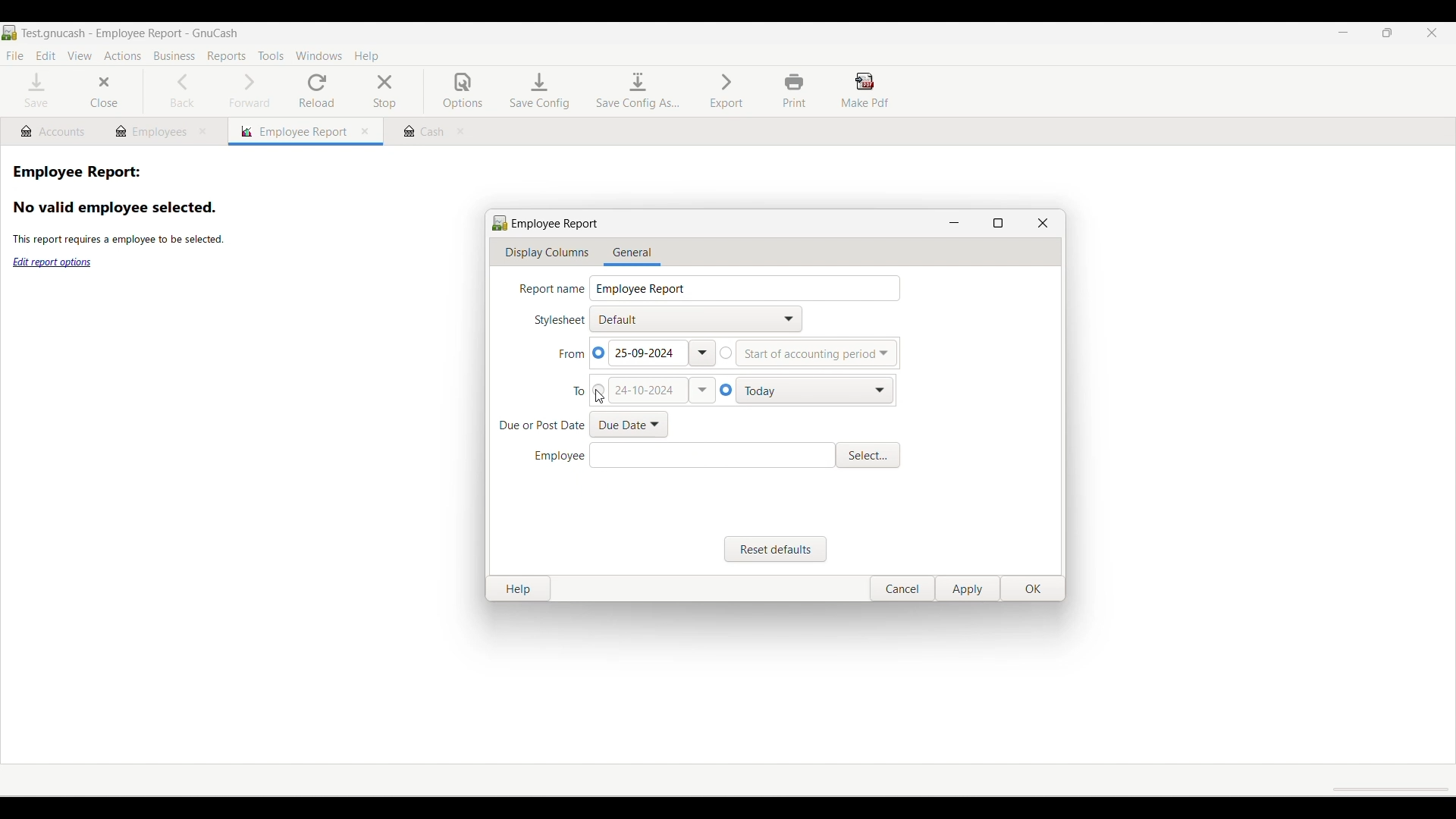  Describe the element at coordinates (599, 397) in the screenshot. I see `Cursor clicking on manually setting end date` at that location.